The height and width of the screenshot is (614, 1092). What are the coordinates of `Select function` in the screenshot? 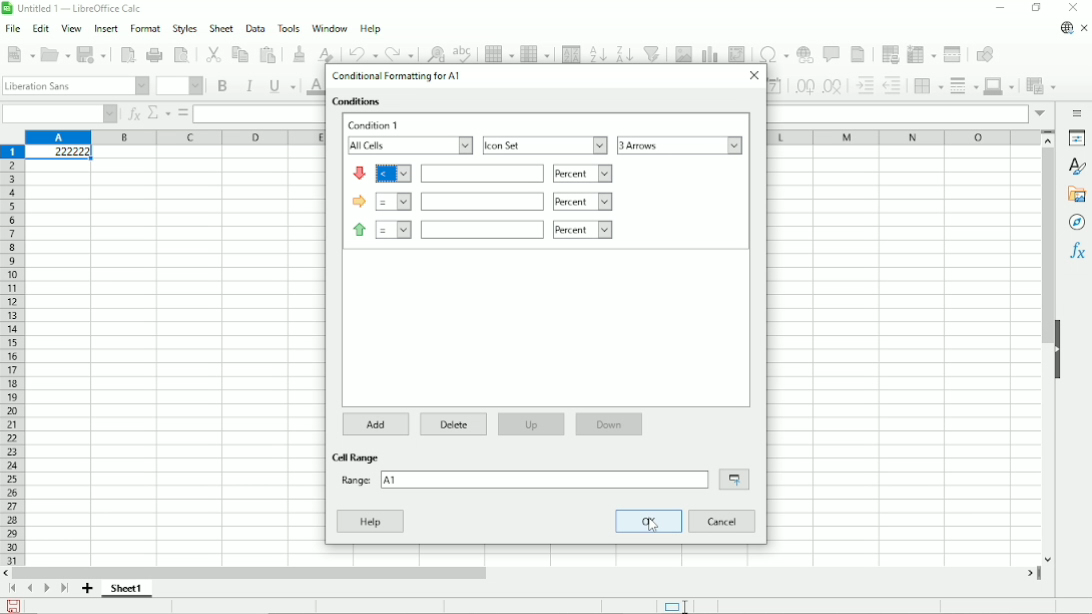 It's located at (159, 113).